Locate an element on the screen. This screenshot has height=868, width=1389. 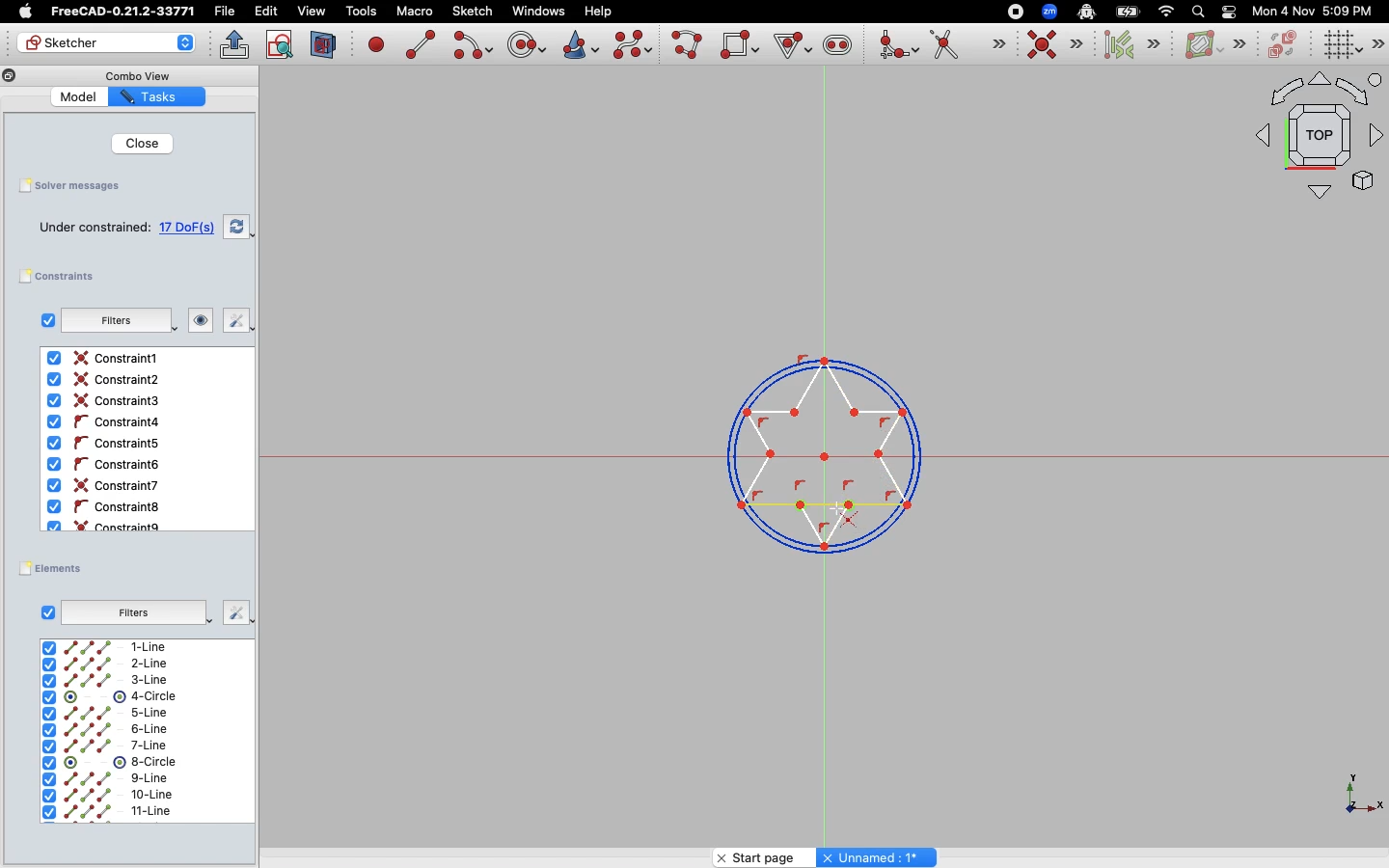
Create Regular Polygon is located at coordinates (791, 46).